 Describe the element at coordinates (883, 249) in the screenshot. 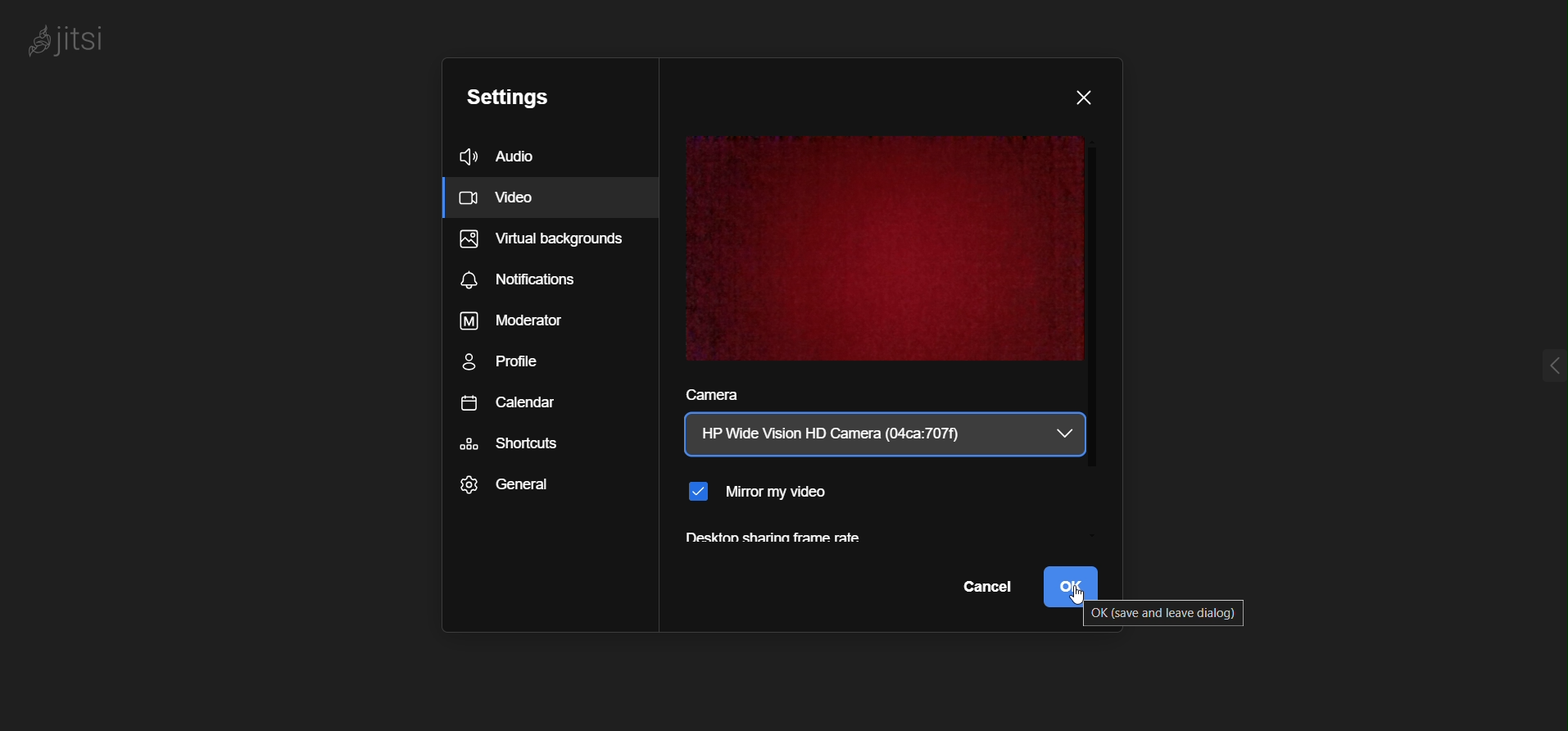

I see `video display` at that location.